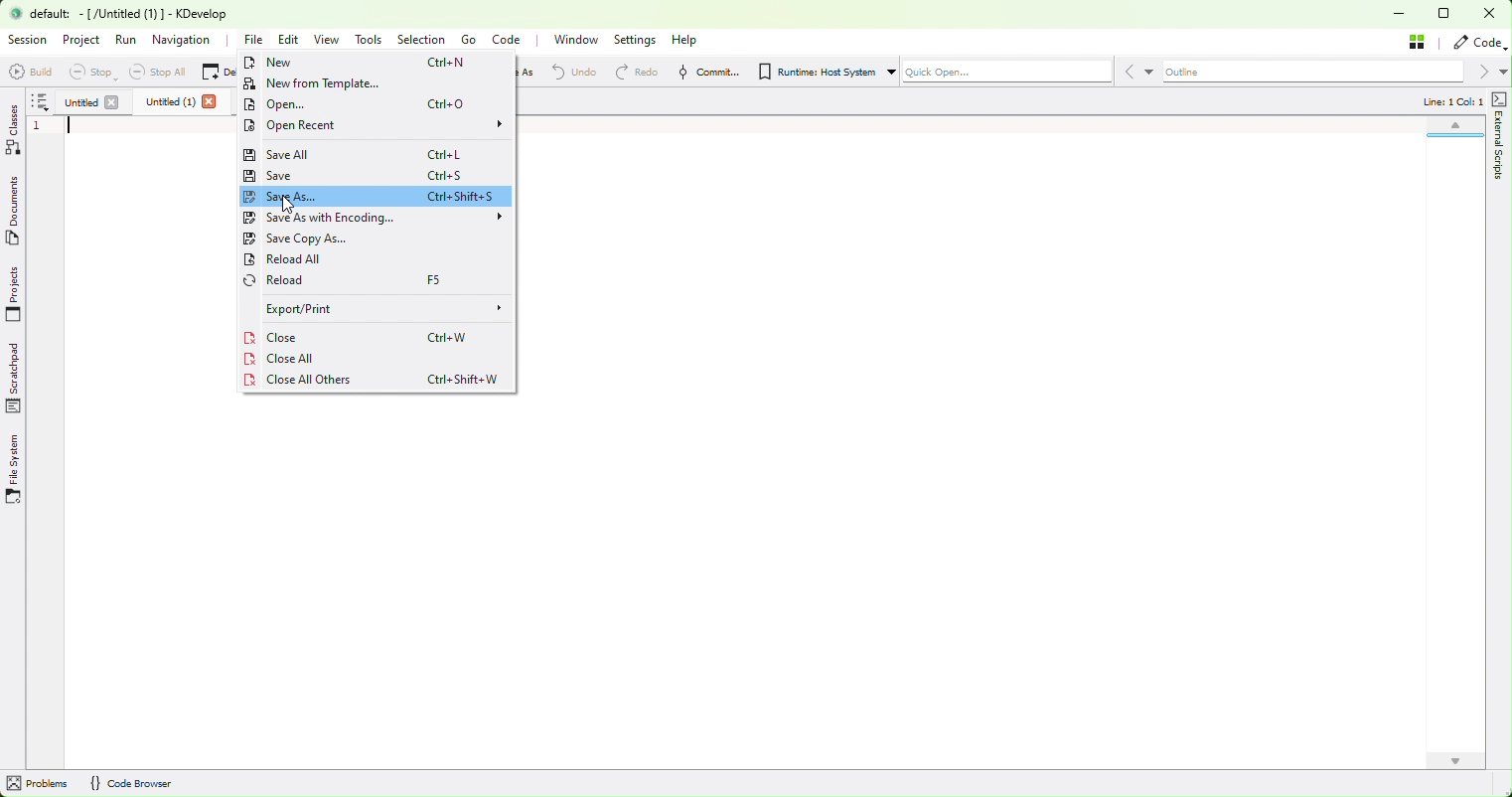 The image size is (1512, 797). What do you see at coordinates (449, 62) in the screenshot?
I see `Ctrl+N` at bounding box center [449, 62].